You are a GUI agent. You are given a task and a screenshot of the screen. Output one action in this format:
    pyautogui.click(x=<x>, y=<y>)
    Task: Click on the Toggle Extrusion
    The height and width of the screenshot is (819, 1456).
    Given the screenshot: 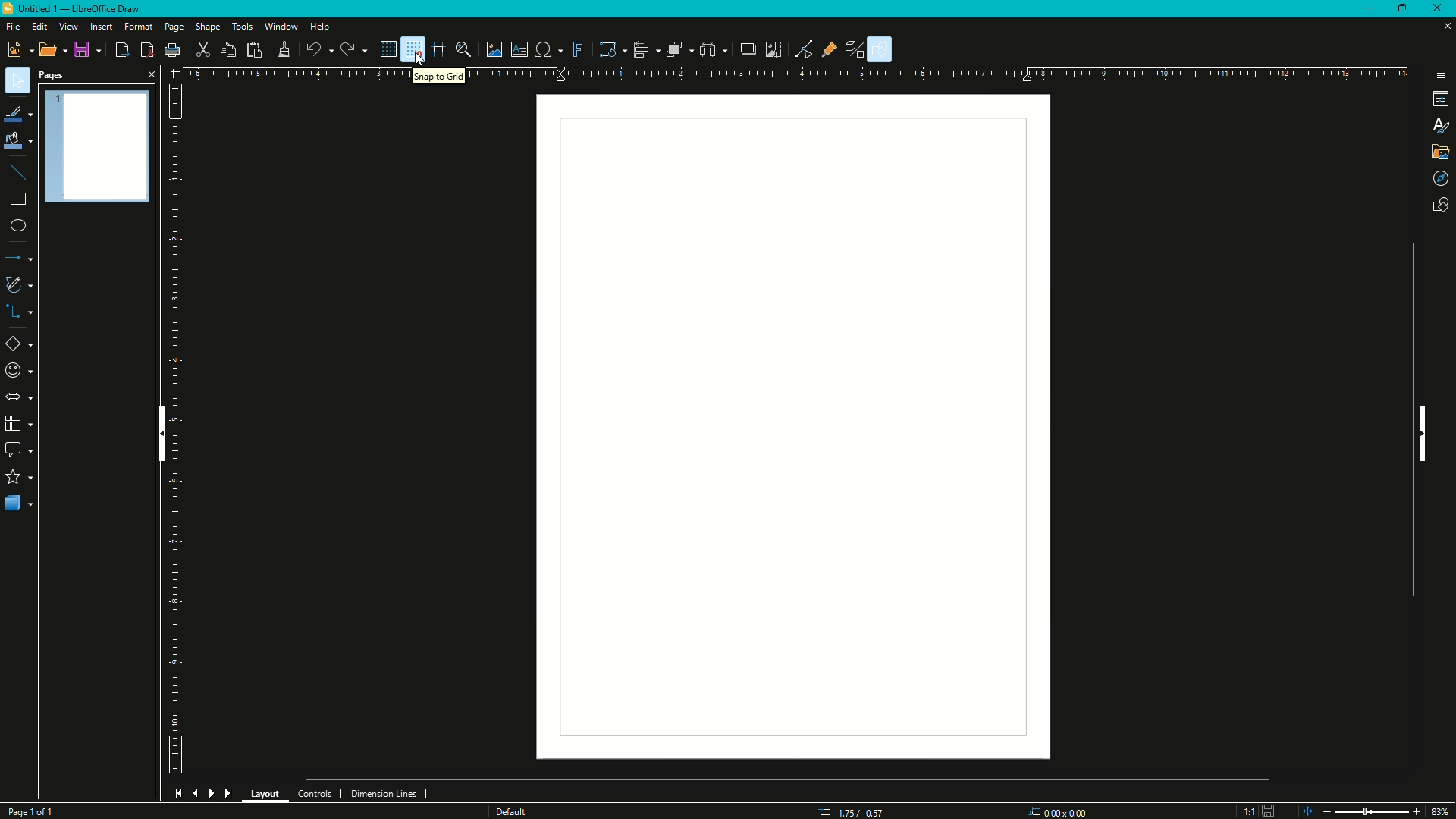 What is the action you would take?
    pyautogui.click(x=852, y=49)
    